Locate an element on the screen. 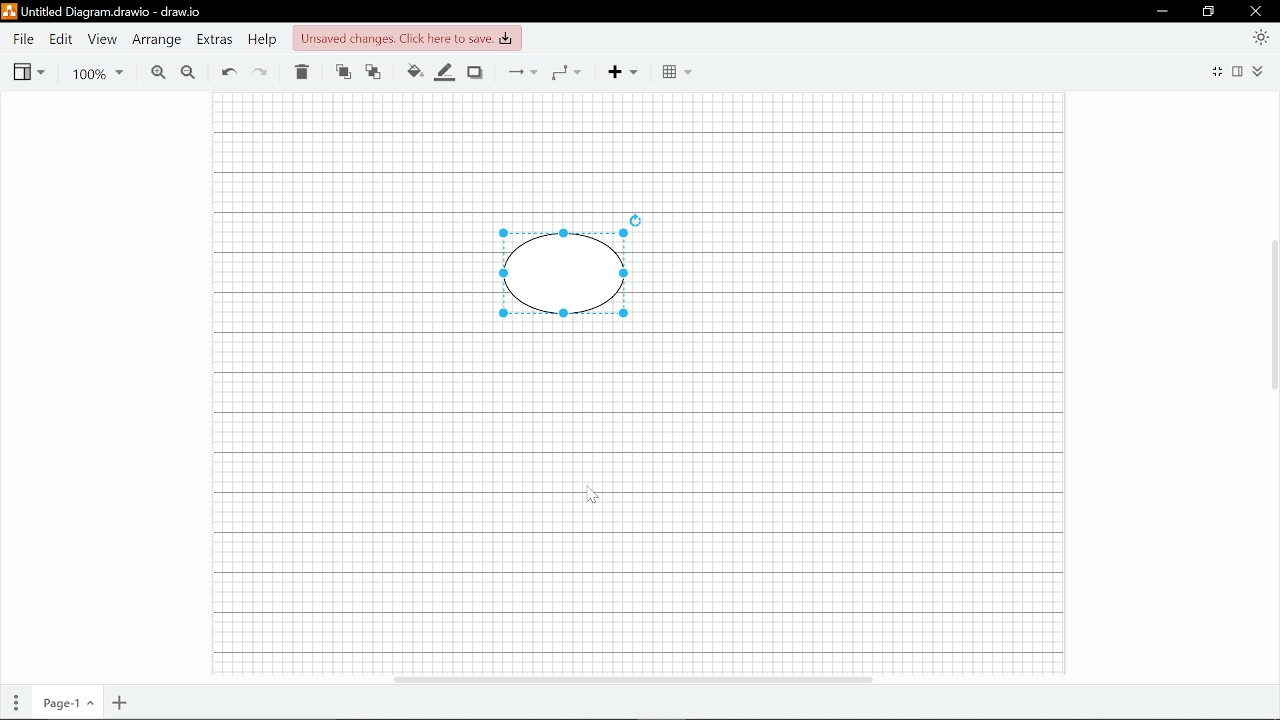 This screenshot has height=720, width=1280. To front is located at coordinates (343, 73).